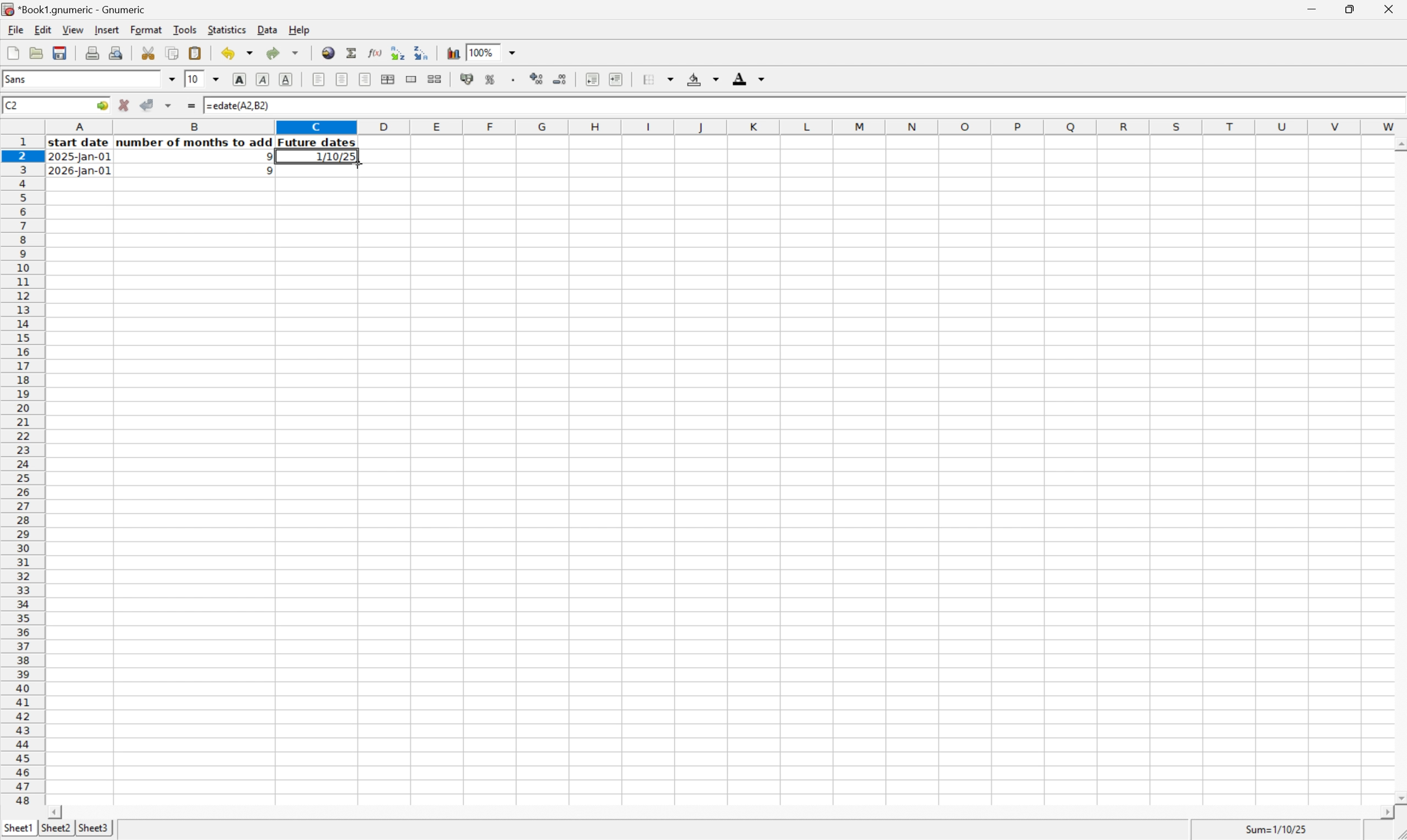 The image size is (1407, 840). What do you see at coordinates (149, 52) in the screenshot?
I see `Cut selection` at bounding box center [149, 52].